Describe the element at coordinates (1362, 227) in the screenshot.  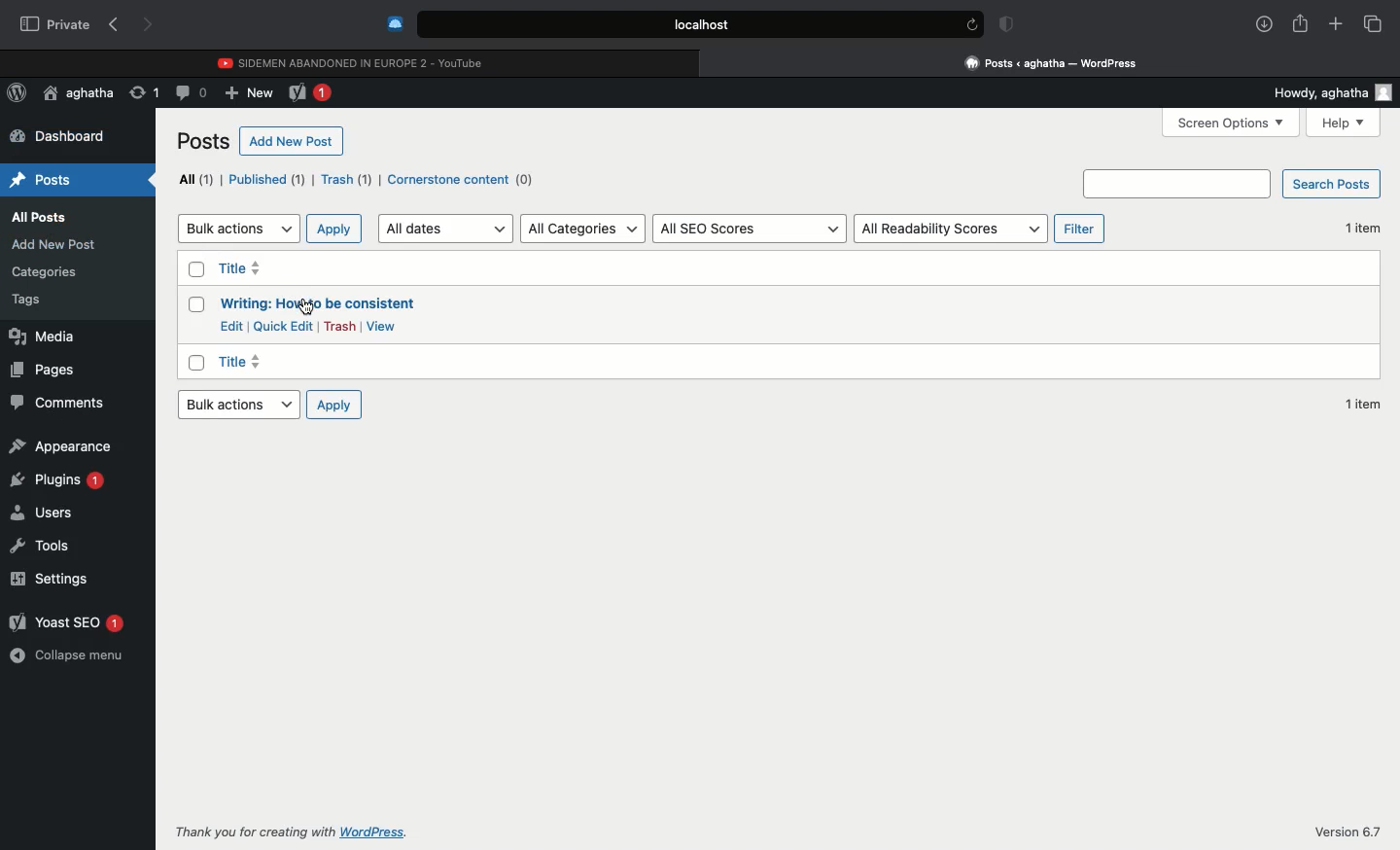
I see `1 item` at that location.